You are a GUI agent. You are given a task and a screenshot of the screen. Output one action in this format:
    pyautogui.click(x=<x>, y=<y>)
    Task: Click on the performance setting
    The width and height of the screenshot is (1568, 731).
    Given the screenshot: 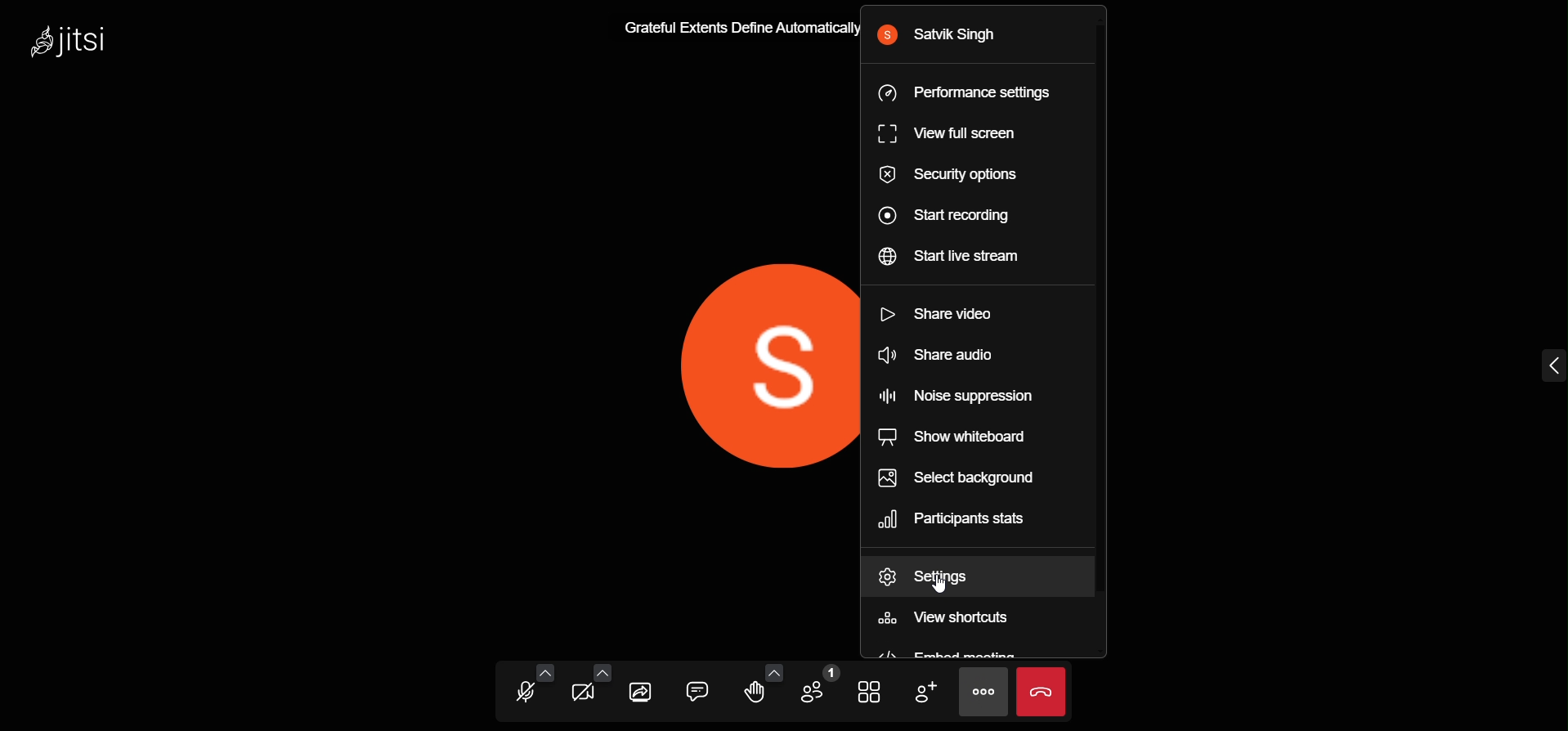 What is the action you would take?
    pyautogui.click(x=975, y=96)
    